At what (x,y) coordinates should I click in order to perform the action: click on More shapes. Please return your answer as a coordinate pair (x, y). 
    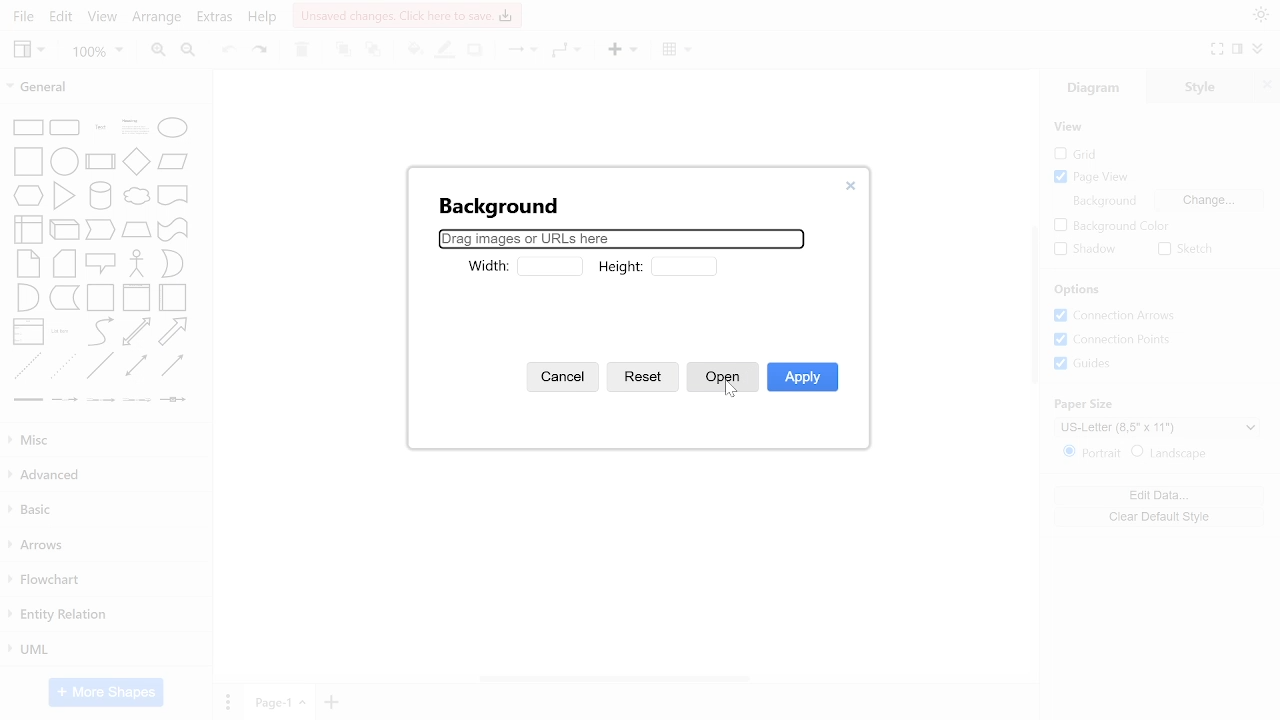
    Looking at the image, I should click on (106, 692).